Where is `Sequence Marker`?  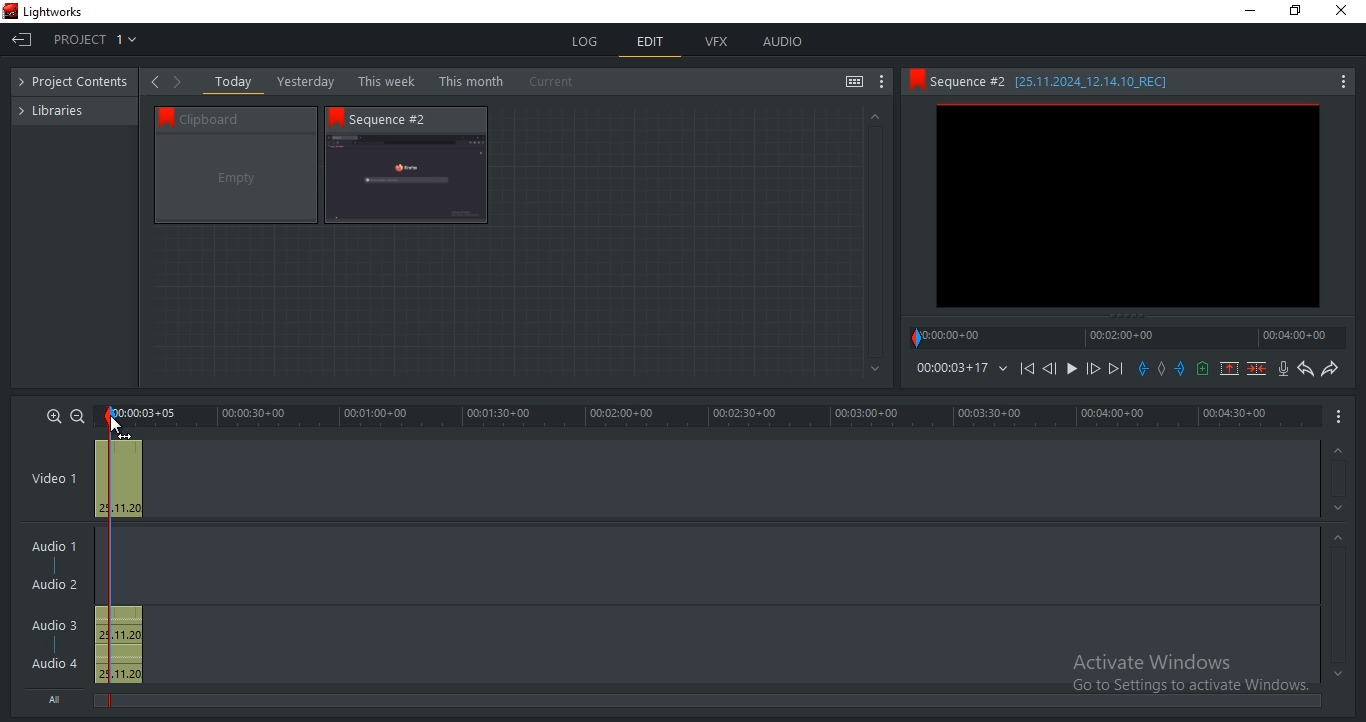
Sequence Marker is located at coordinates (108, 559).